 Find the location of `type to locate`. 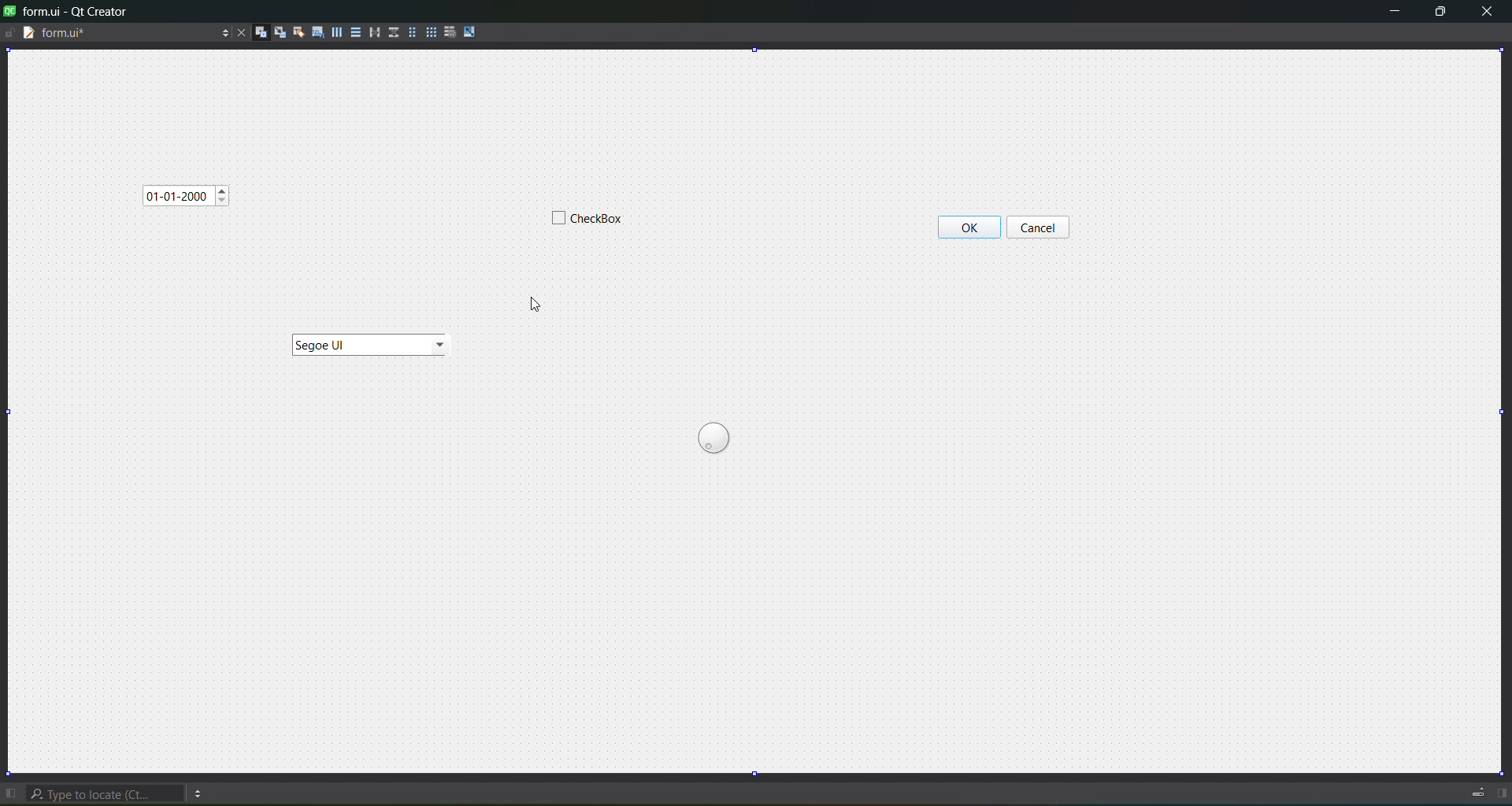

type to locate is located at coordinates (108, 791).